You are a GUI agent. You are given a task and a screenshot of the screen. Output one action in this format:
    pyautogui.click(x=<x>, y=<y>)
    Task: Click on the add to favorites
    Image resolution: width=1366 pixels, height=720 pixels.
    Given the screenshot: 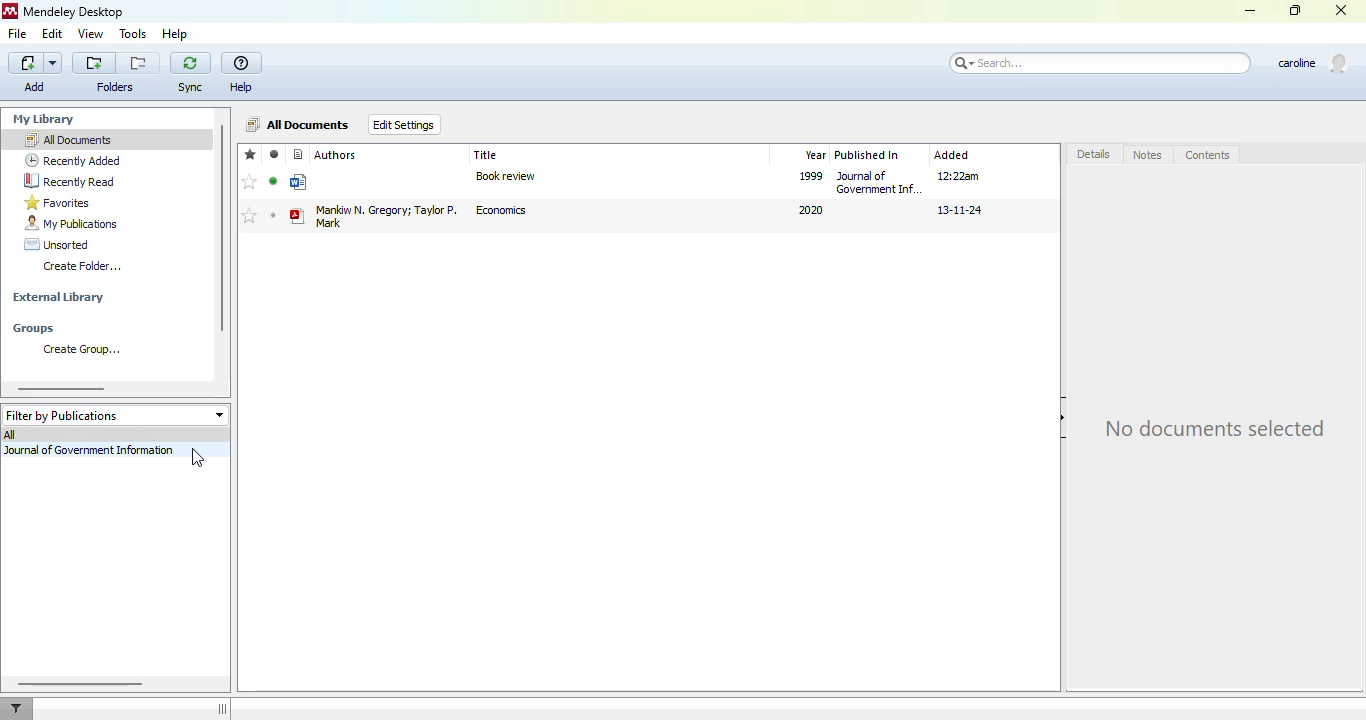 What is the action you would take?
    pyautogui.click(x=250, y=182)
    